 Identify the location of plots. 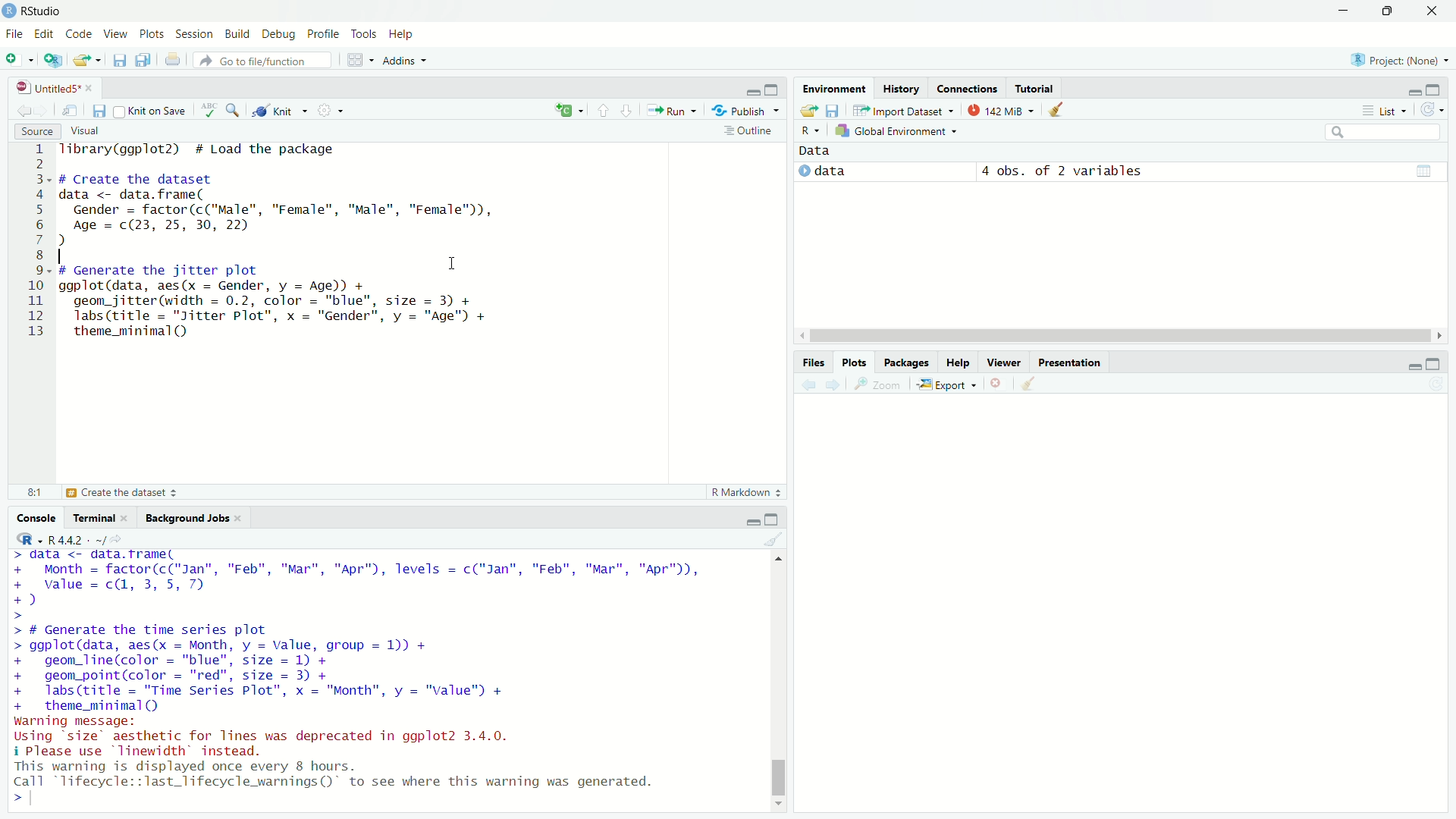
(152, 32).